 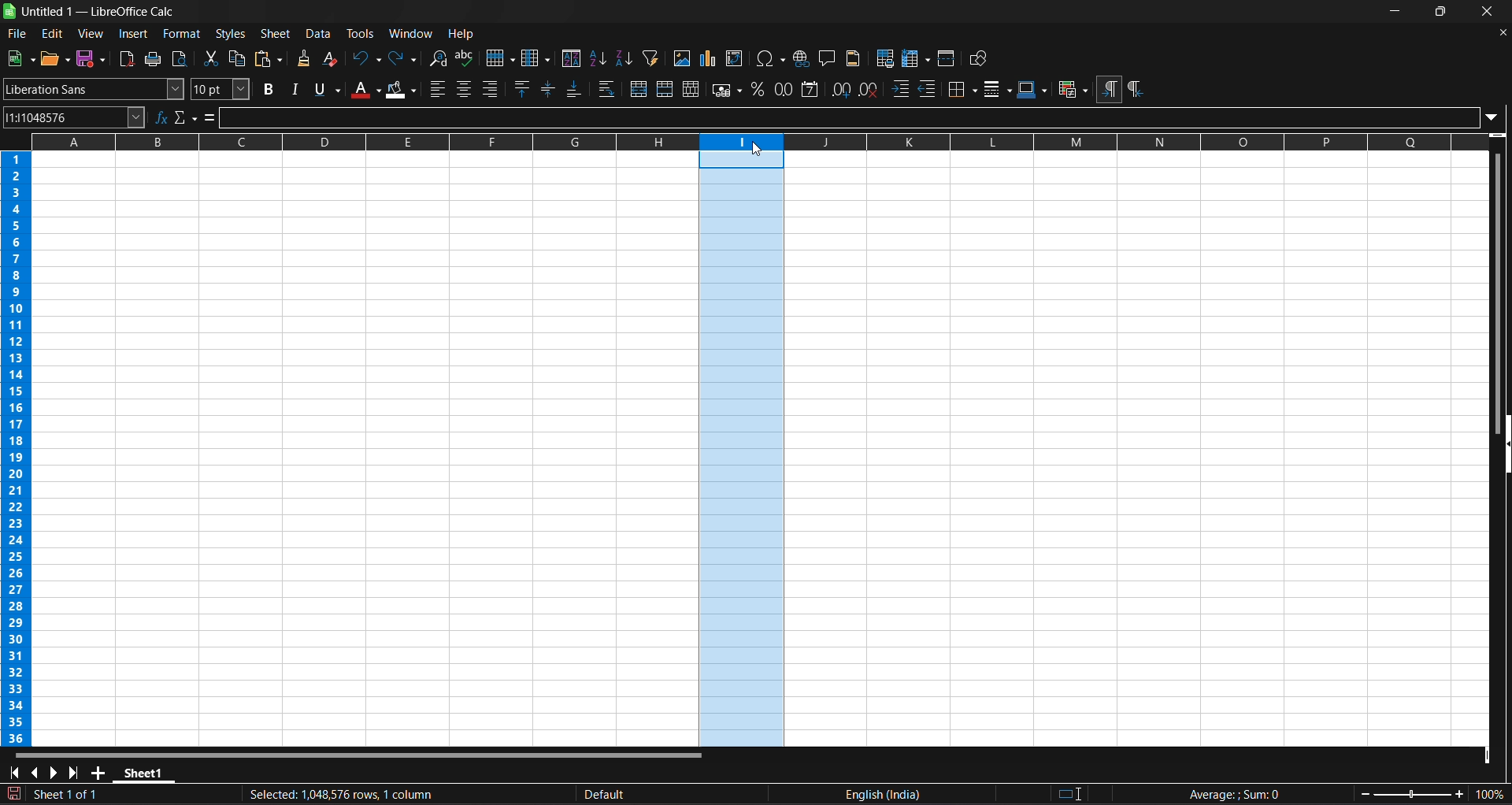 What do you see at coordinates (1503, 442) in the screenshot?
I see `hide` at bounding box center [1503, 442].